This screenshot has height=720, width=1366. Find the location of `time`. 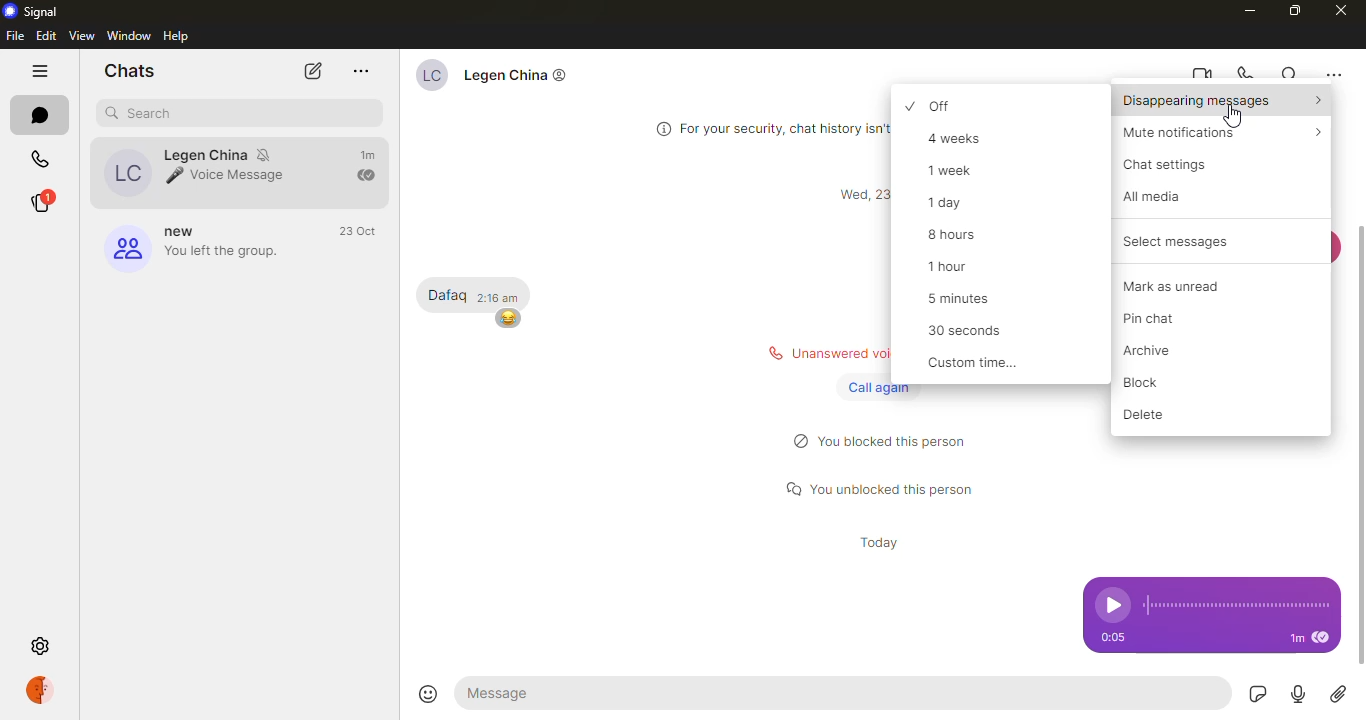

time is located at coordinates (1296, 639).